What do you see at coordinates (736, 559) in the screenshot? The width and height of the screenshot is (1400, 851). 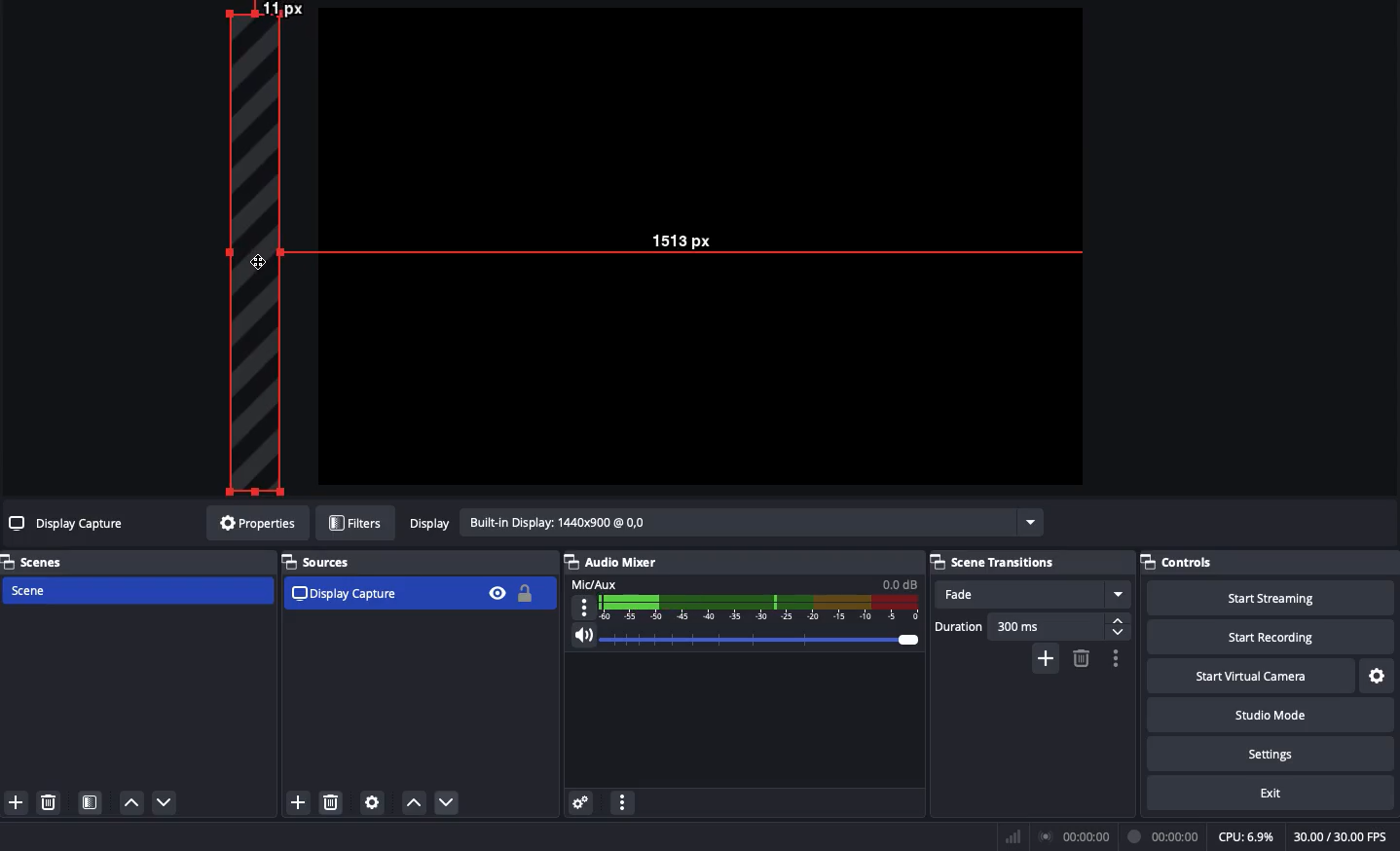 I see `Audio/mixer` at bounding box center [736, 559].